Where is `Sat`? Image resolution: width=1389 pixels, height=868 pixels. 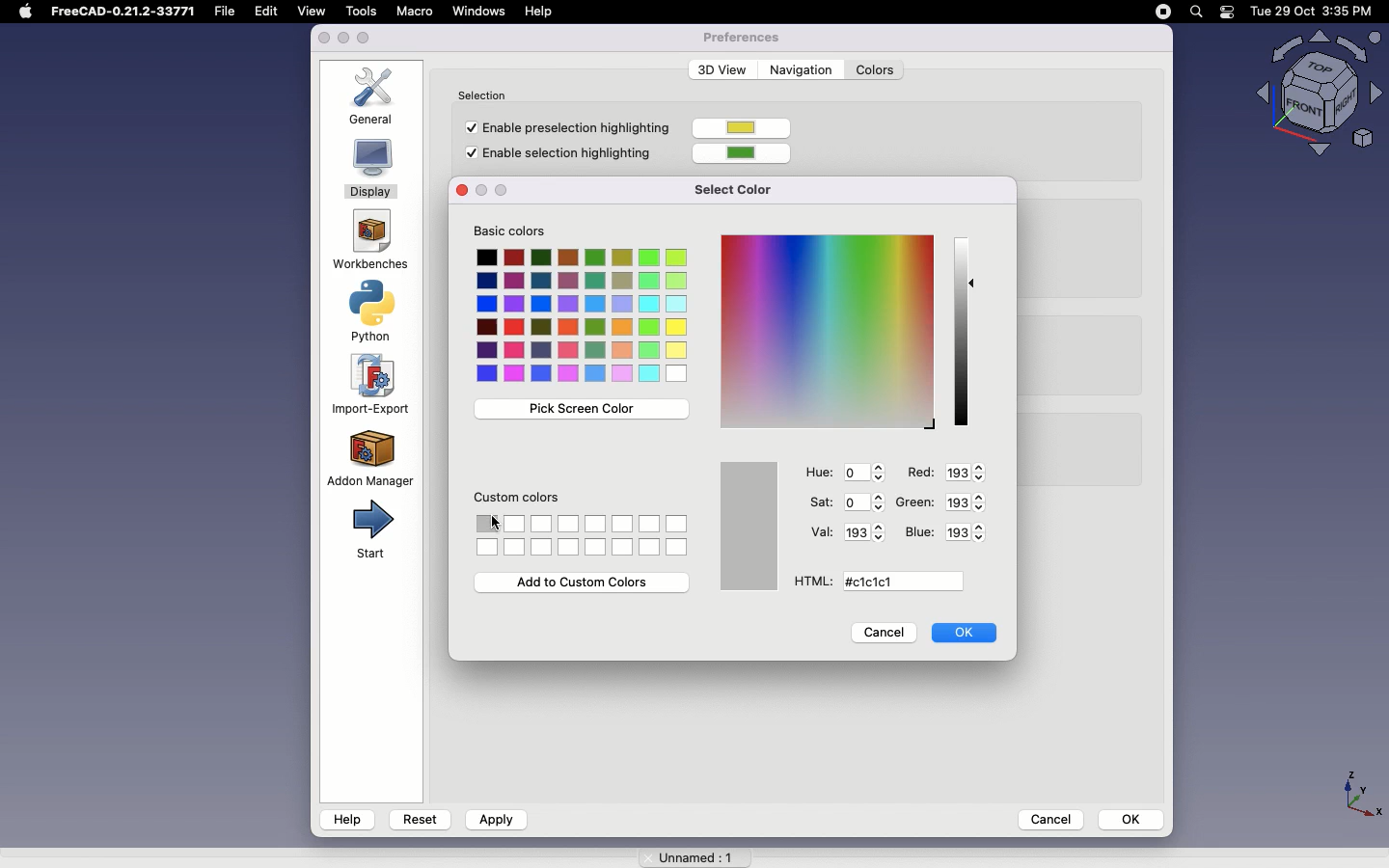
Sat is located at coordinates (820, 502).